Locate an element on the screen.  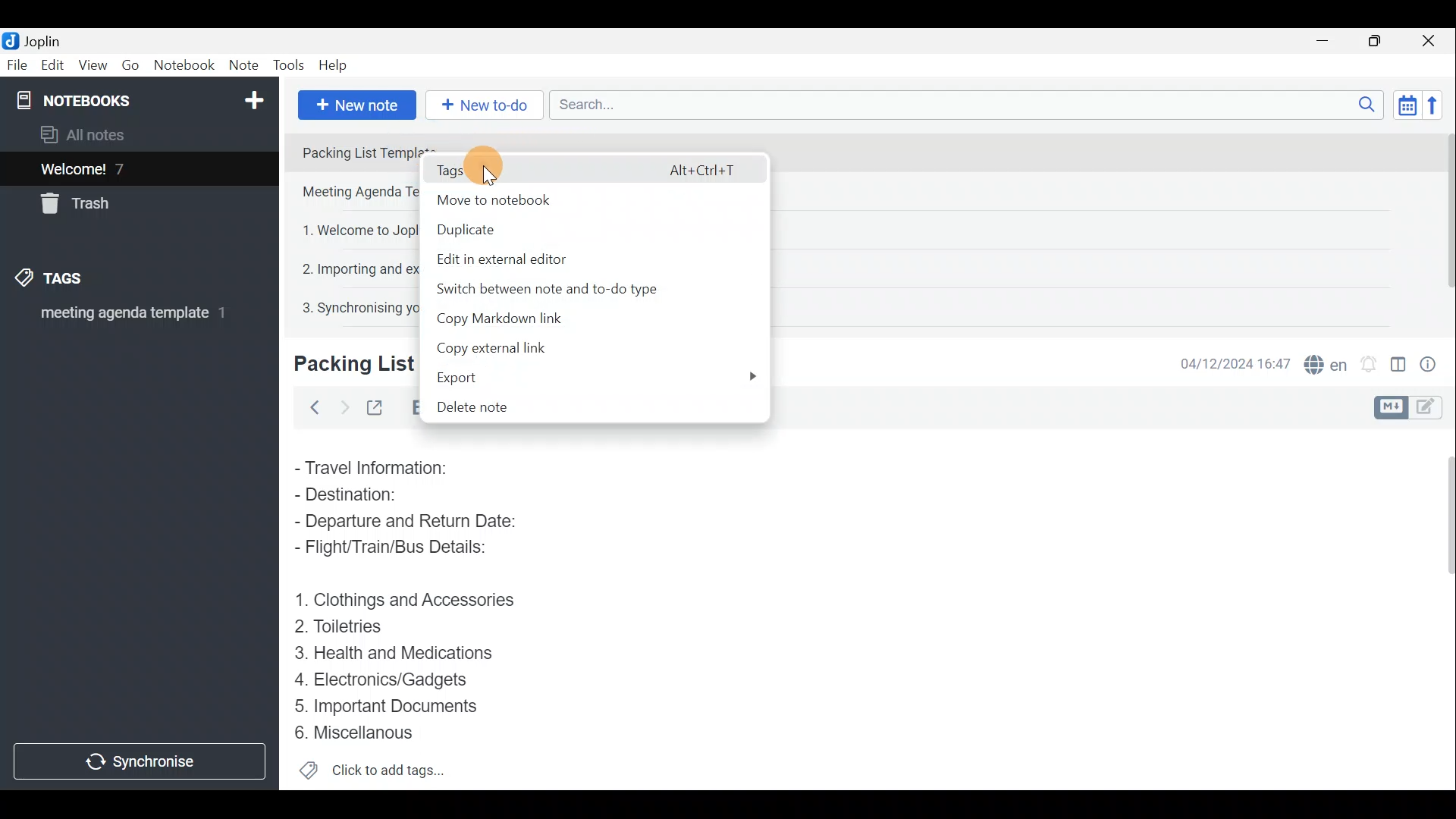
Toggle editors is located at coordinates (1393, 406).